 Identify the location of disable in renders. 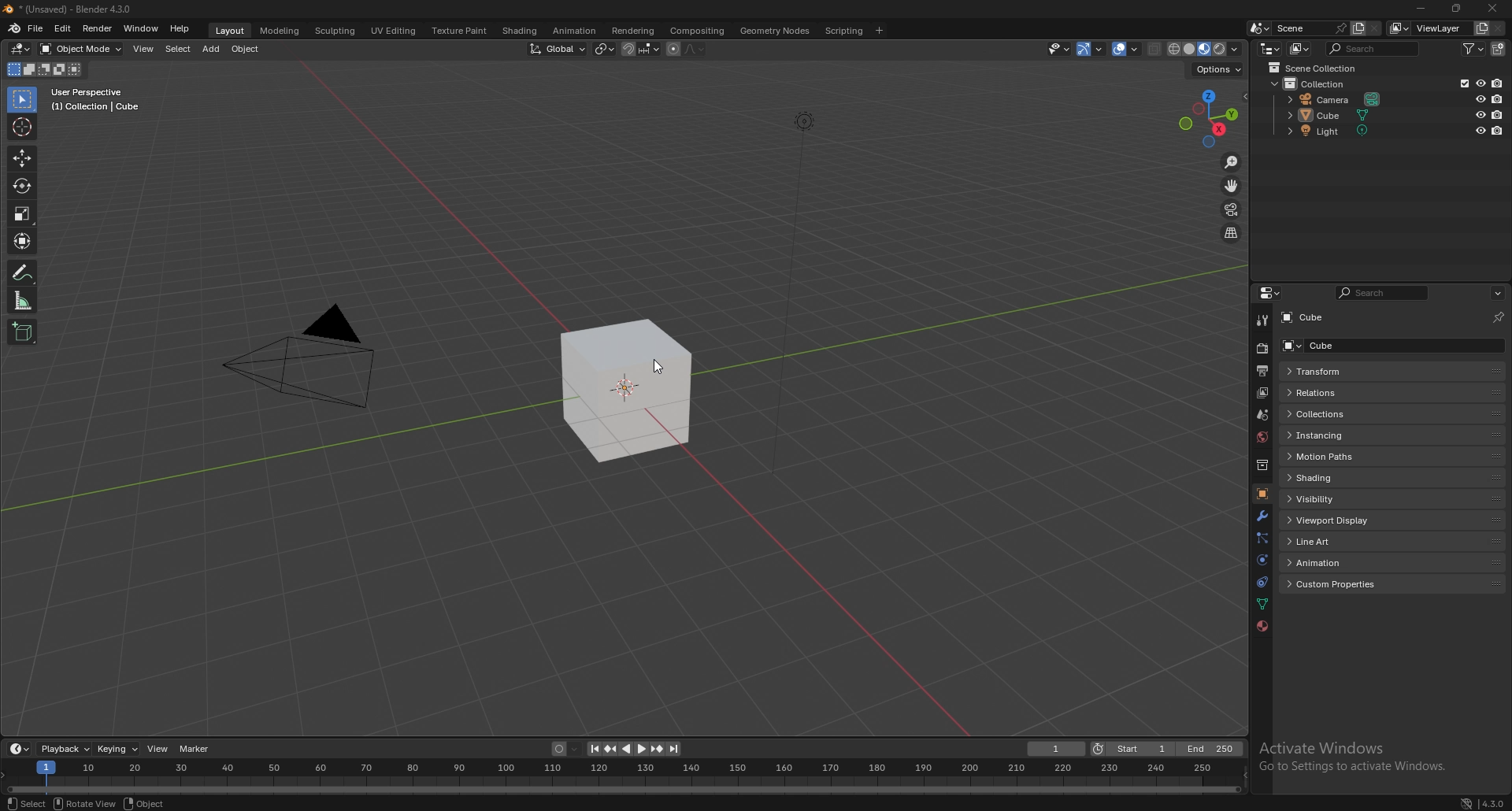
(1499, 131).